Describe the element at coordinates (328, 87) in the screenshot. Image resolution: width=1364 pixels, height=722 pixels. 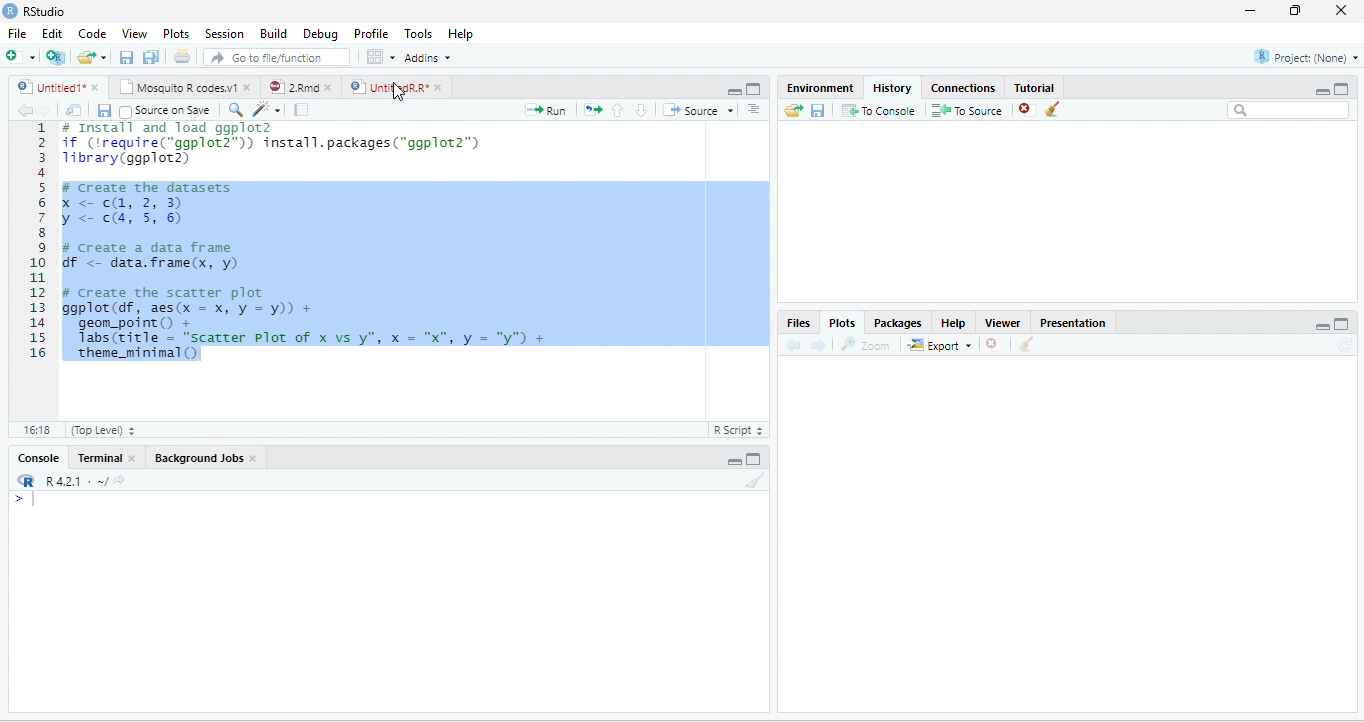
I see `close` at that location.